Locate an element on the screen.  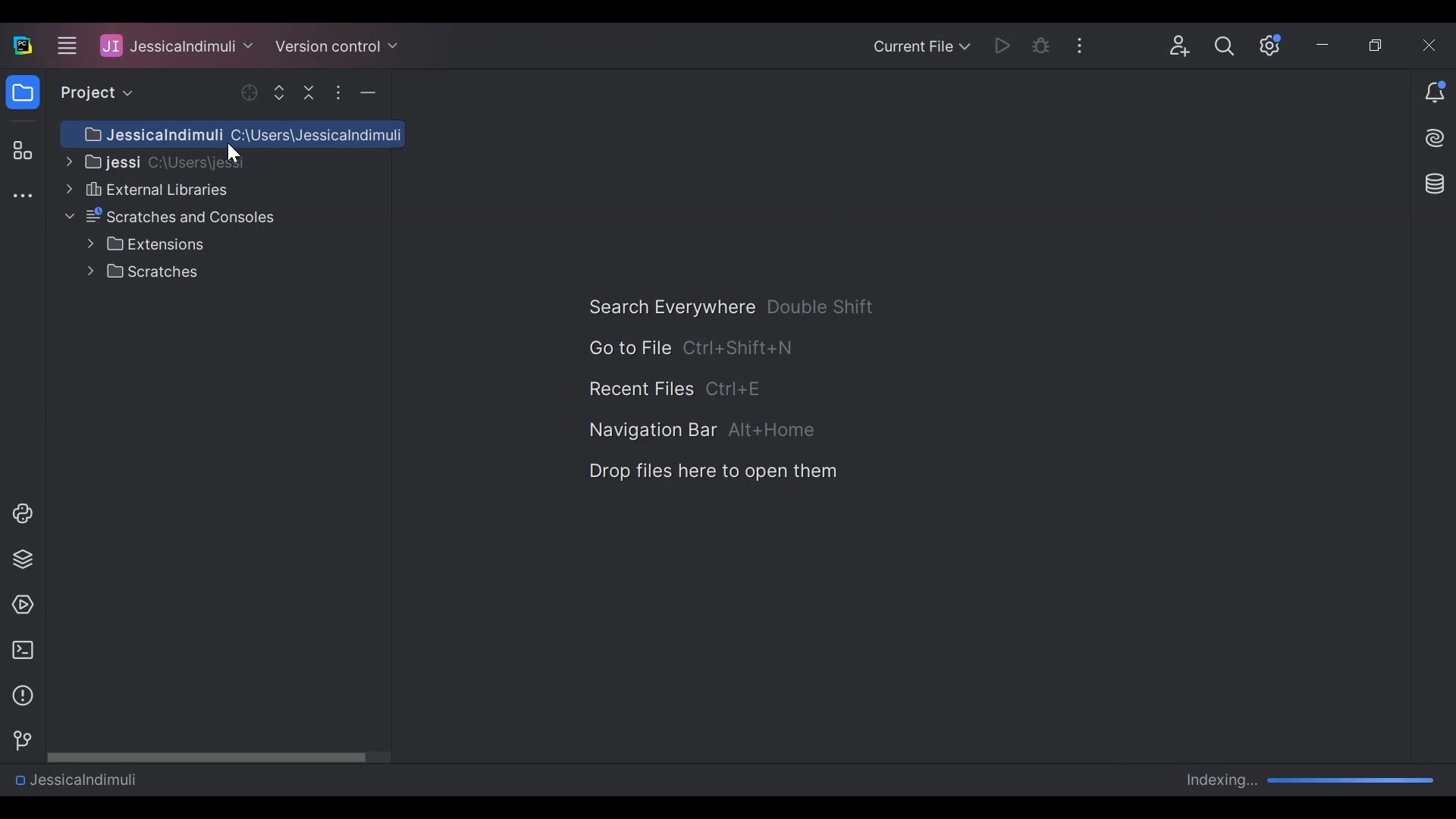
version control is located at coordinates (18, 741).